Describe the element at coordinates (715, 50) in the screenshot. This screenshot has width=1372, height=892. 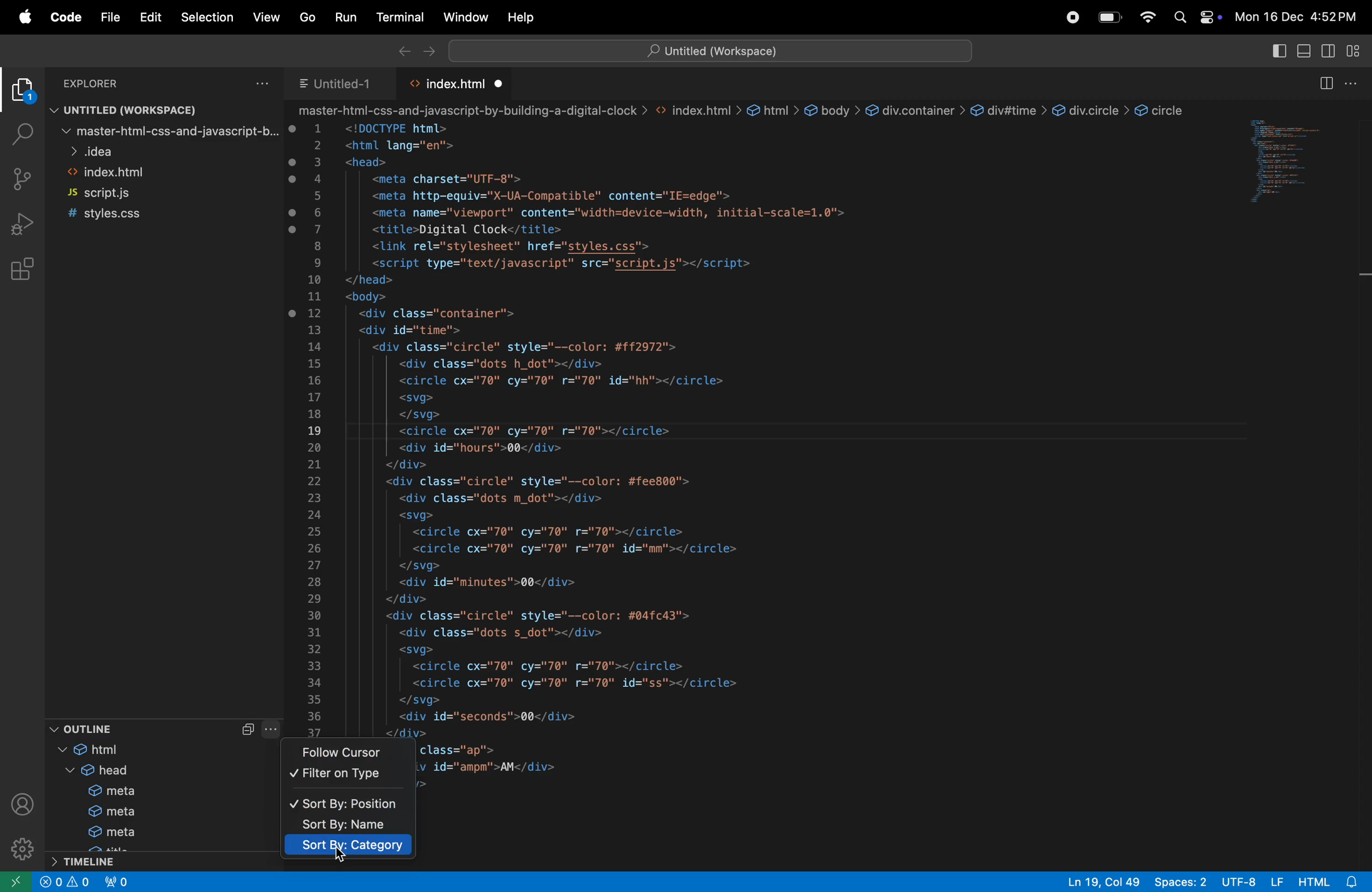
I see `search bar` at that location.